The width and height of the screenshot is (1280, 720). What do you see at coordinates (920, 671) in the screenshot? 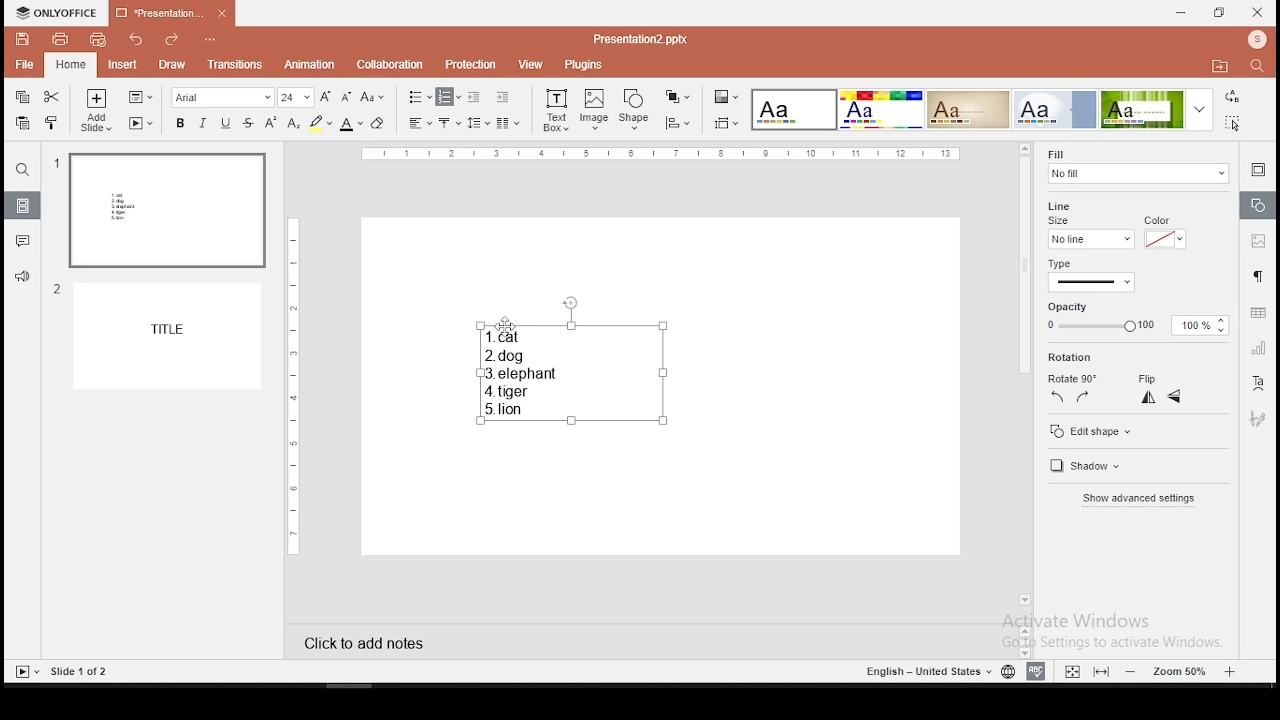
I see `English` at bounding box center [920, 671].